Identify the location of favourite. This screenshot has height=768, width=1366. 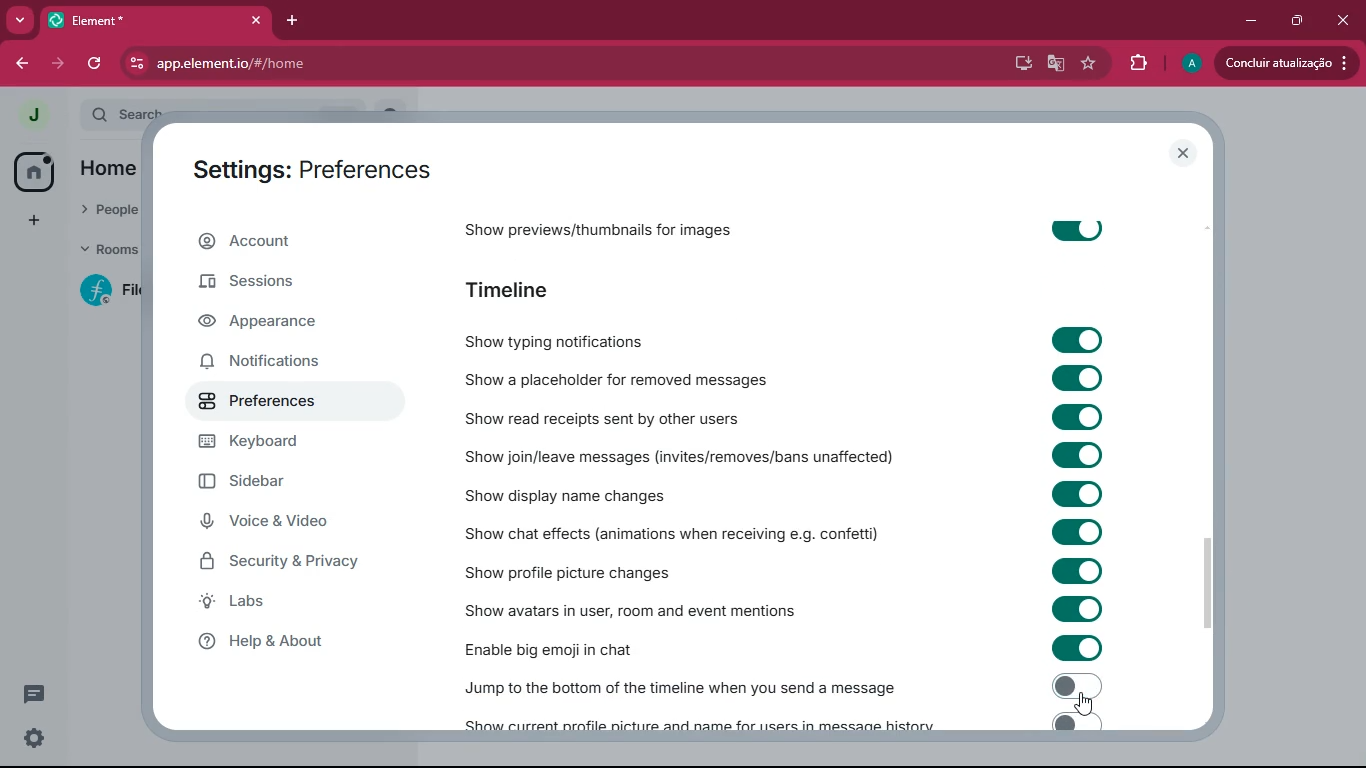
(1089, 64).